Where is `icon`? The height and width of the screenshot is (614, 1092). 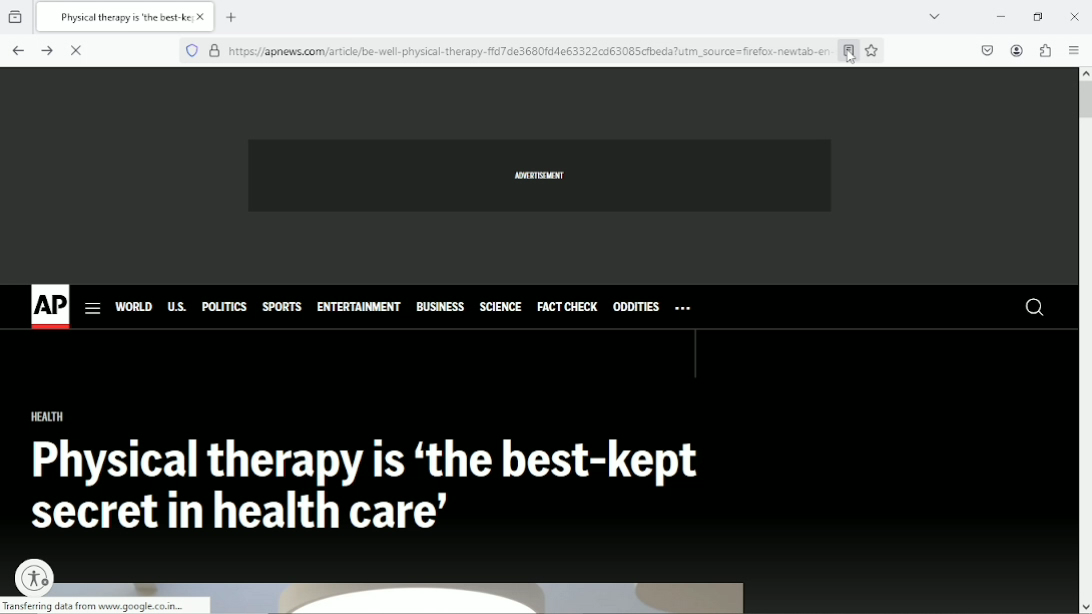
icon is located at coordinates (37, 576).